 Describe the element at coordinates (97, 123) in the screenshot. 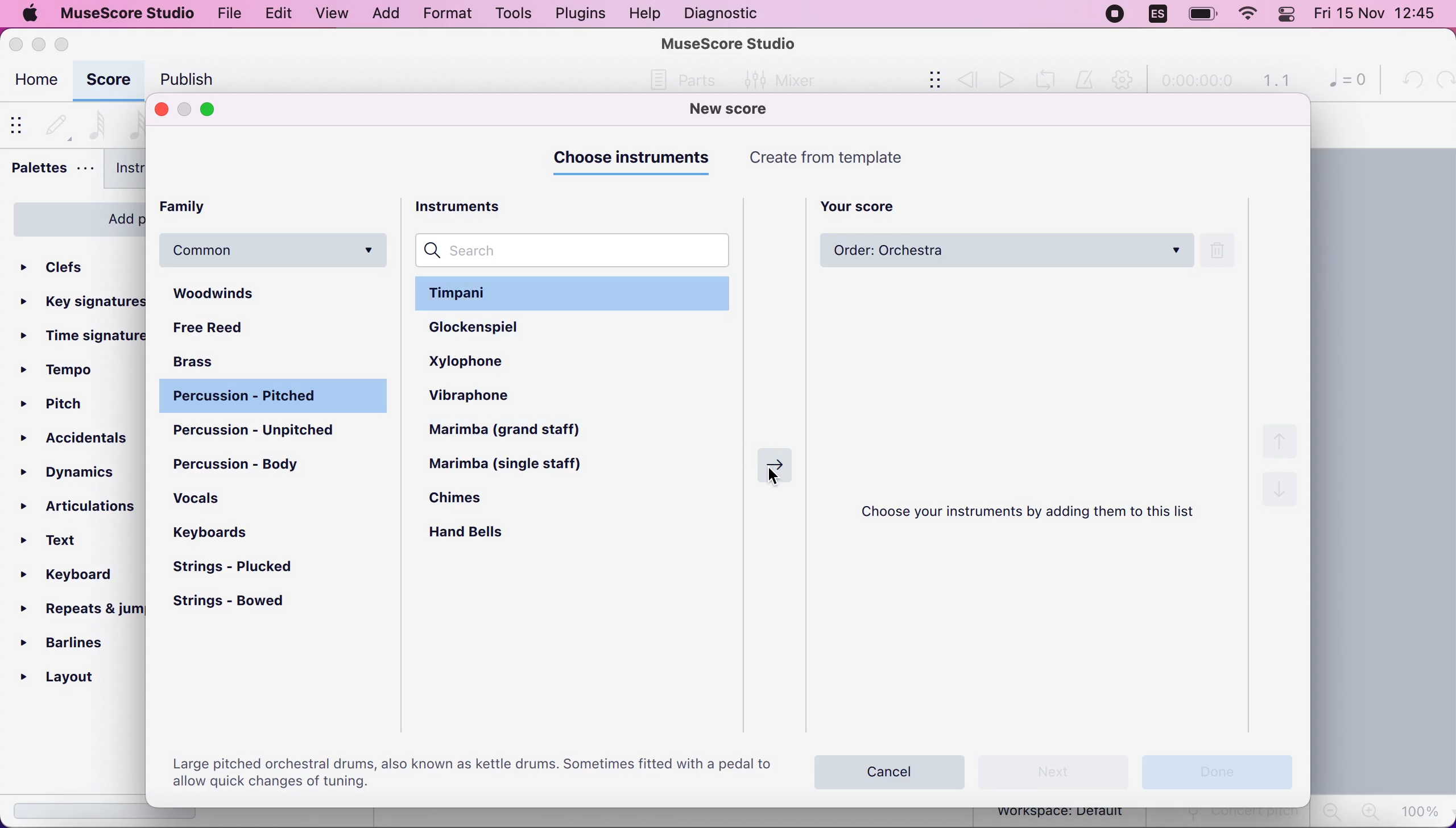

I see `64th note` at that location.